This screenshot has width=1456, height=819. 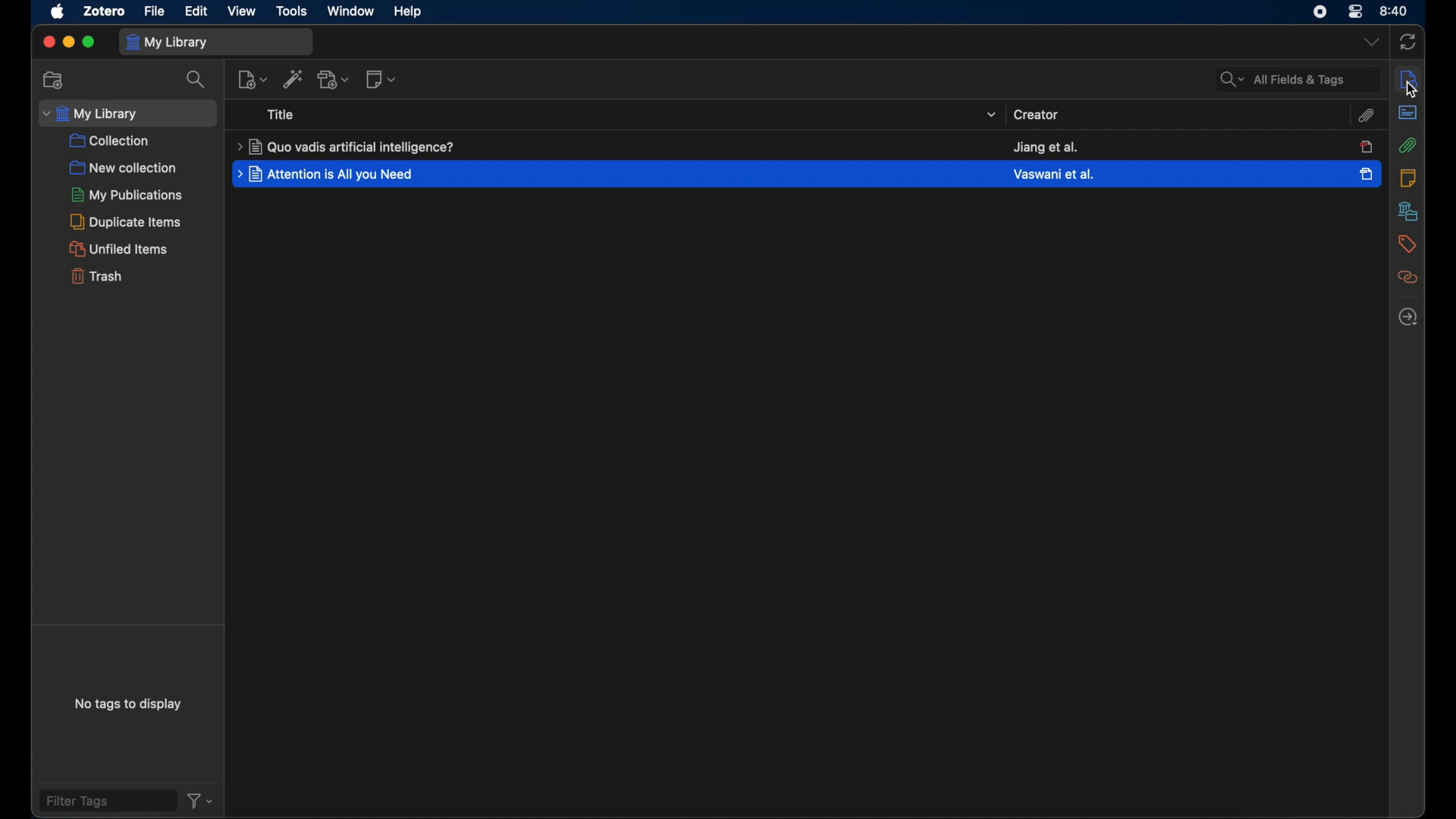 What do you see at coordinates (1366, 174) in the screenshot?
I see `item selected` at bounding box center [1366, 174].